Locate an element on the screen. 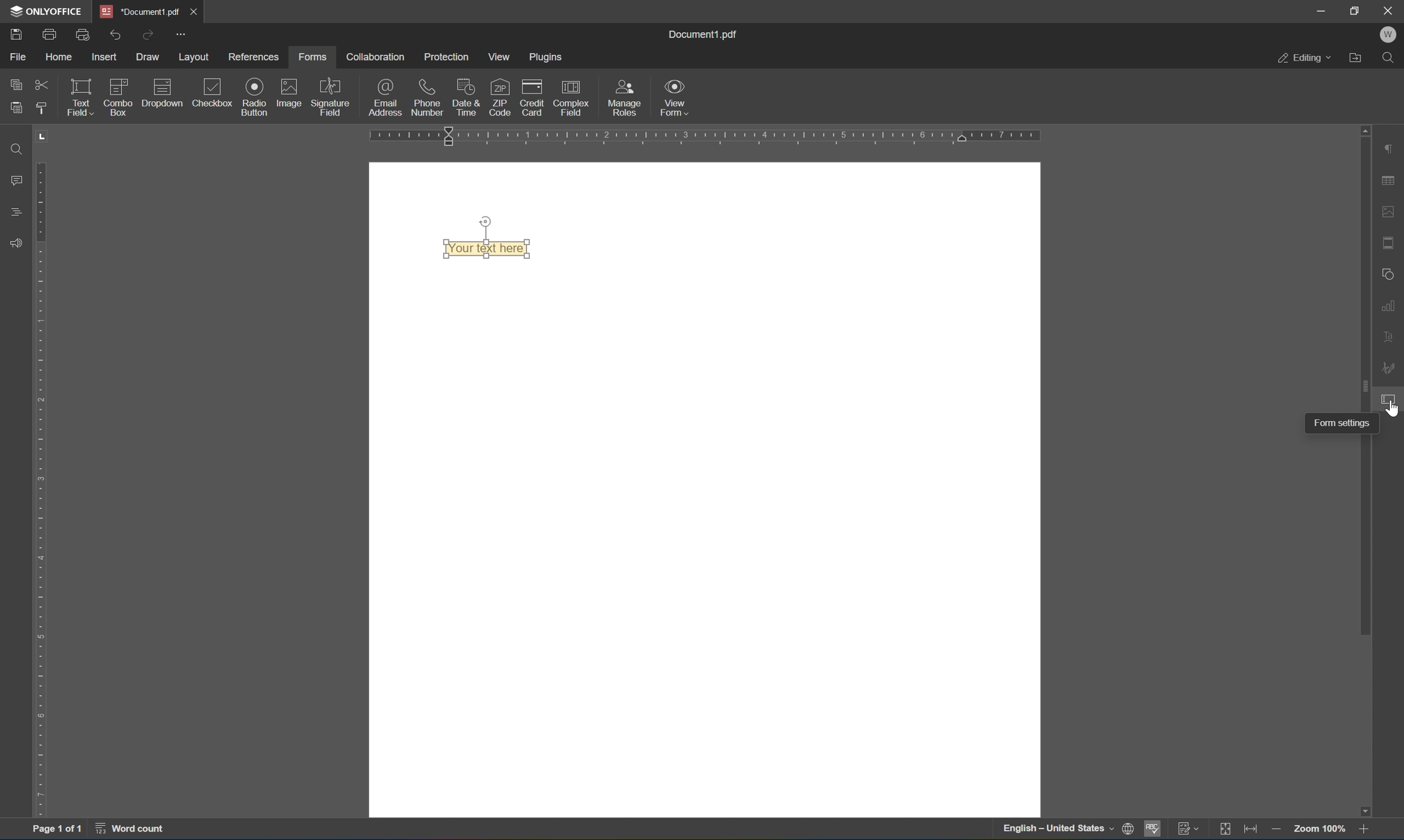 This screenshot has width=1404, height=840. draw is located at coordinates (148, 57).